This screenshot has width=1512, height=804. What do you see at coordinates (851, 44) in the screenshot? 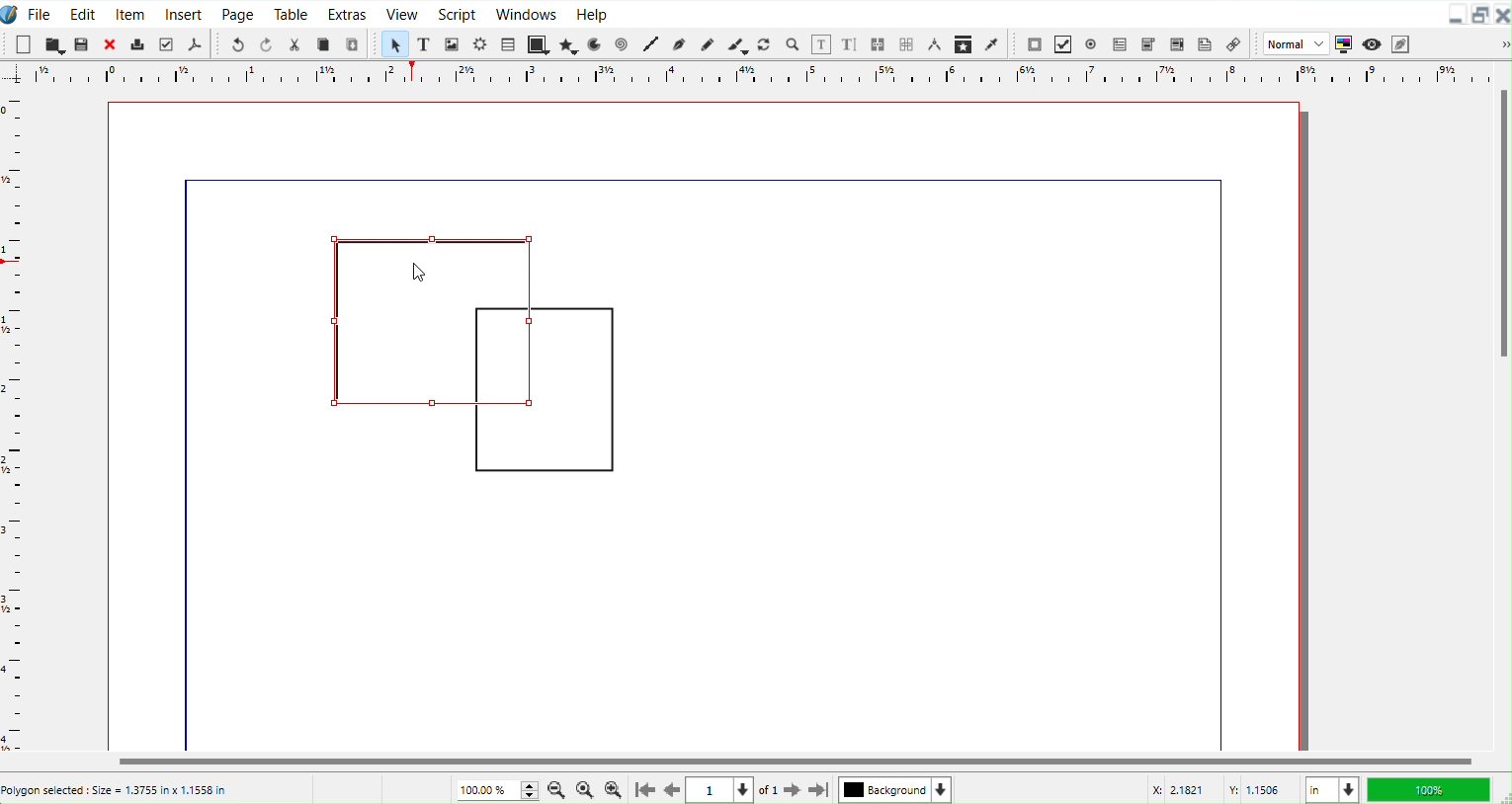
I see `Edit text with story editor` at bounding box center [851, 44].